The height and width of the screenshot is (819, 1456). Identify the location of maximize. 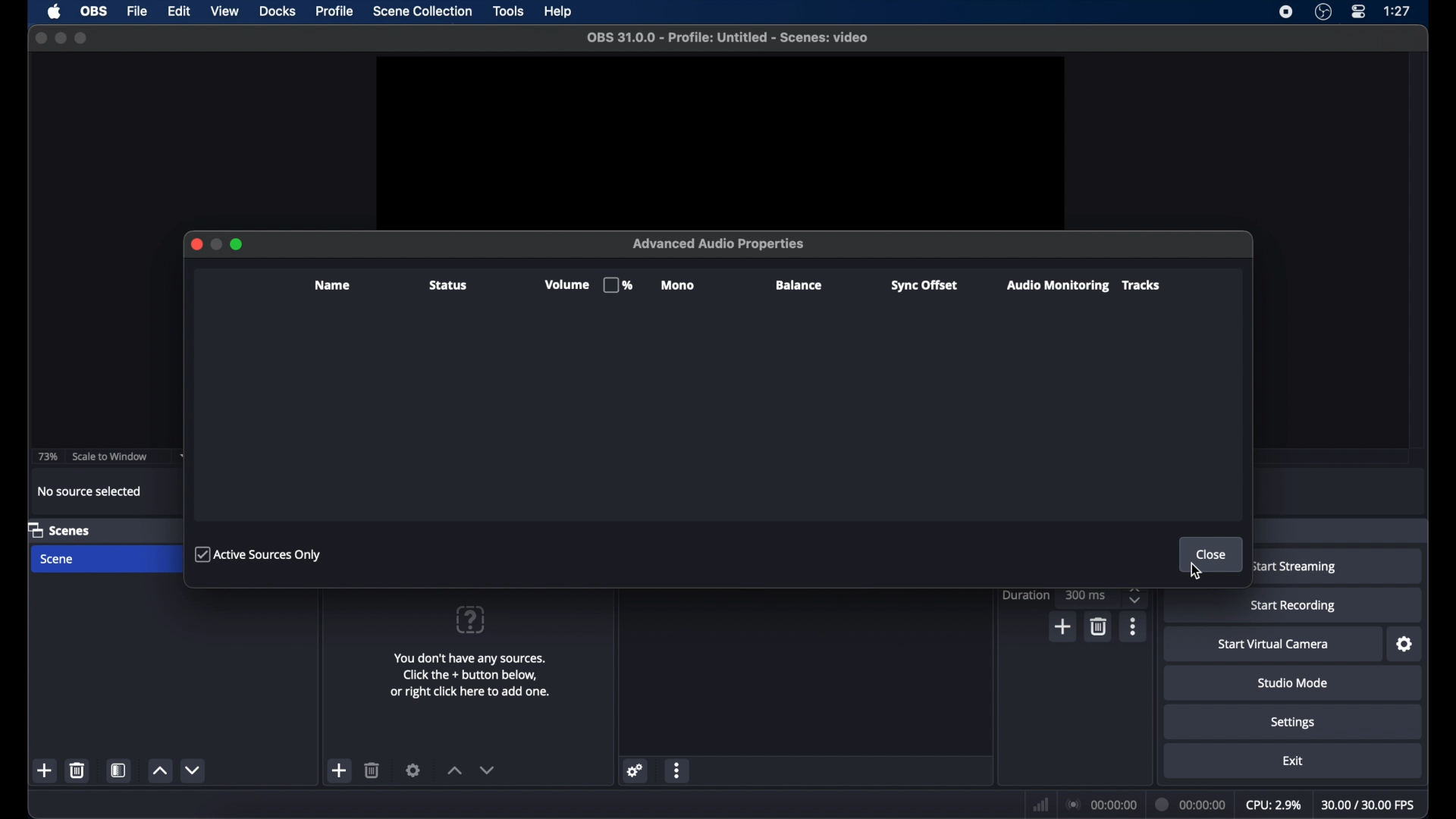
(83, 38).